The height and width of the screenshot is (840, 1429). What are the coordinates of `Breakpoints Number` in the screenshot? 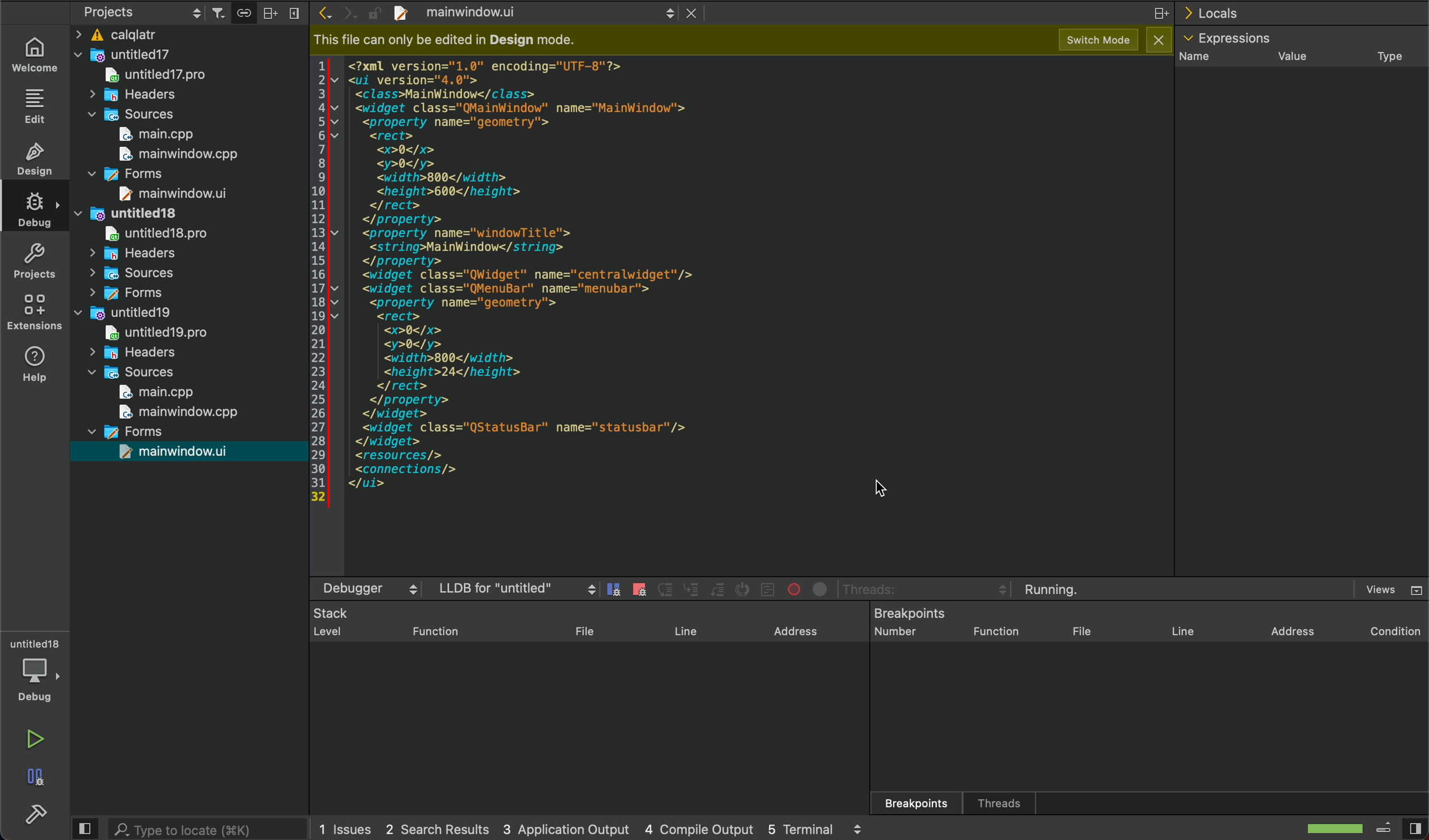 It's located at (911, 625).